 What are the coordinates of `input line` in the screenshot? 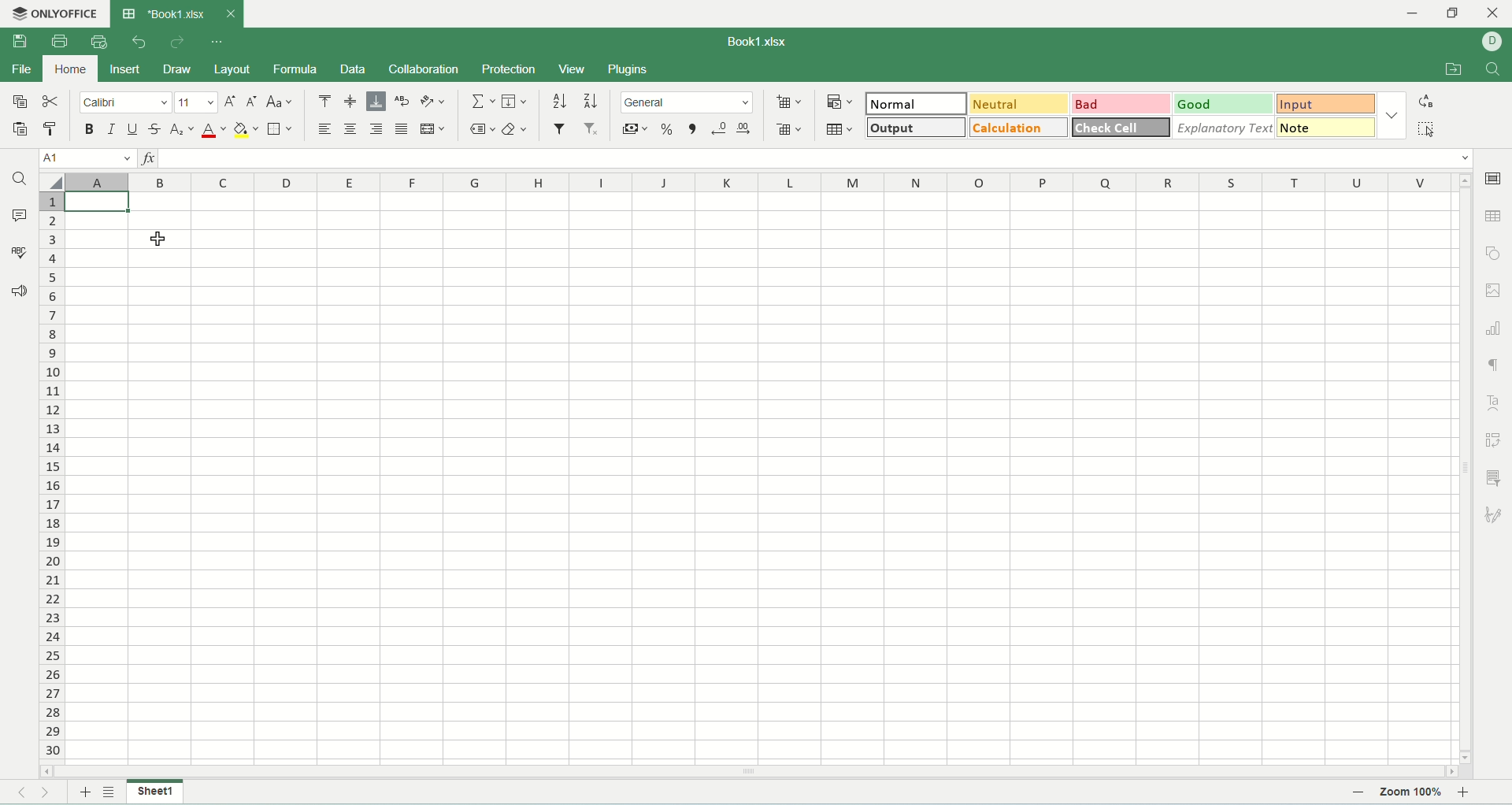 It's located at (816, 158).